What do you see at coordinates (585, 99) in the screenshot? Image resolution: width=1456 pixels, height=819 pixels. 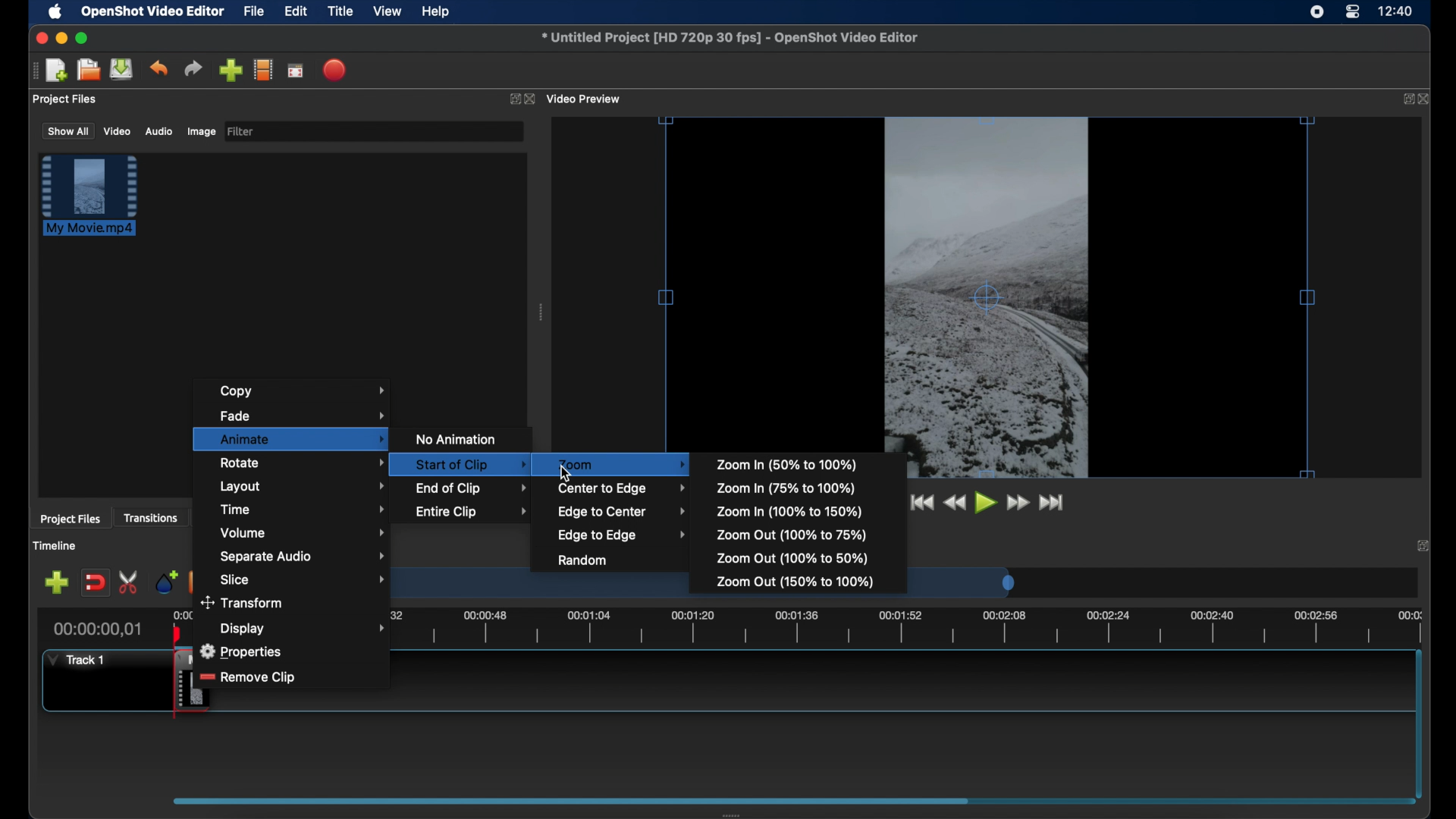 I see `video preview` at bounding box center [585, 99].